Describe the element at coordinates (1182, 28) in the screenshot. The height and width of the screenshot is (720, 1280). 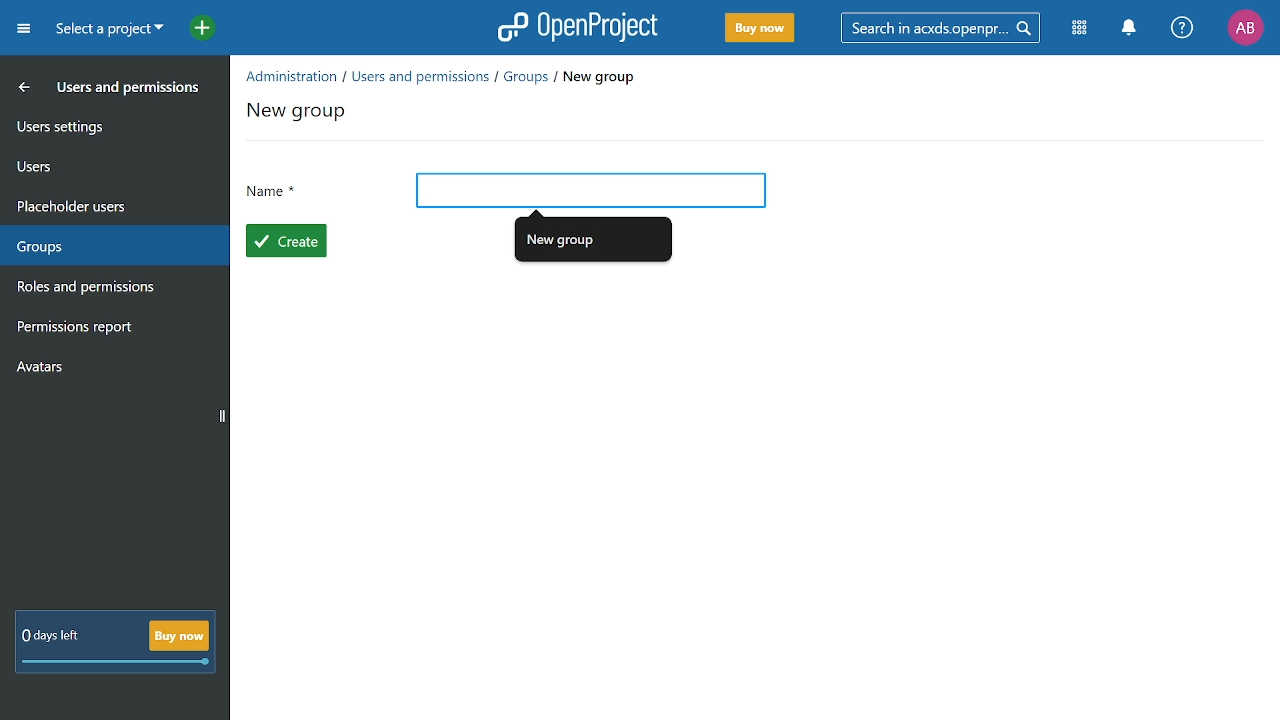
I see `help` at that location.